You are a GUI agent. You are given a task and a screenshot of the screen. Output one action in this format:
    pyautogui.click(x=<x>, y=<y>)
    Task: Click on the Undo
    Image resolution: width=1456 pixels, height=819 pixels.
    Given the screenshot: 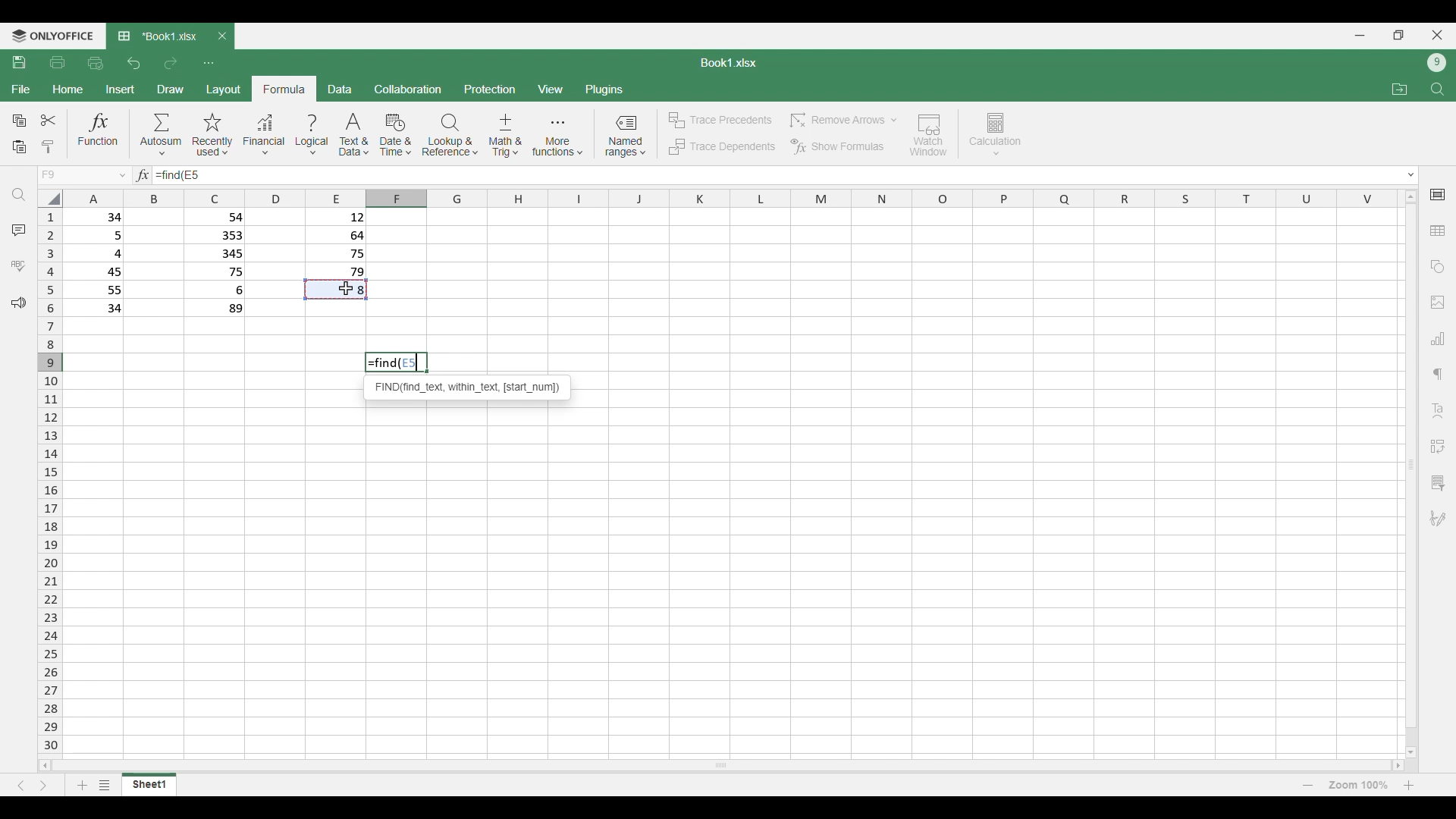 What is the action you would take?
    pyautogui.click(x=135, y=63)
    